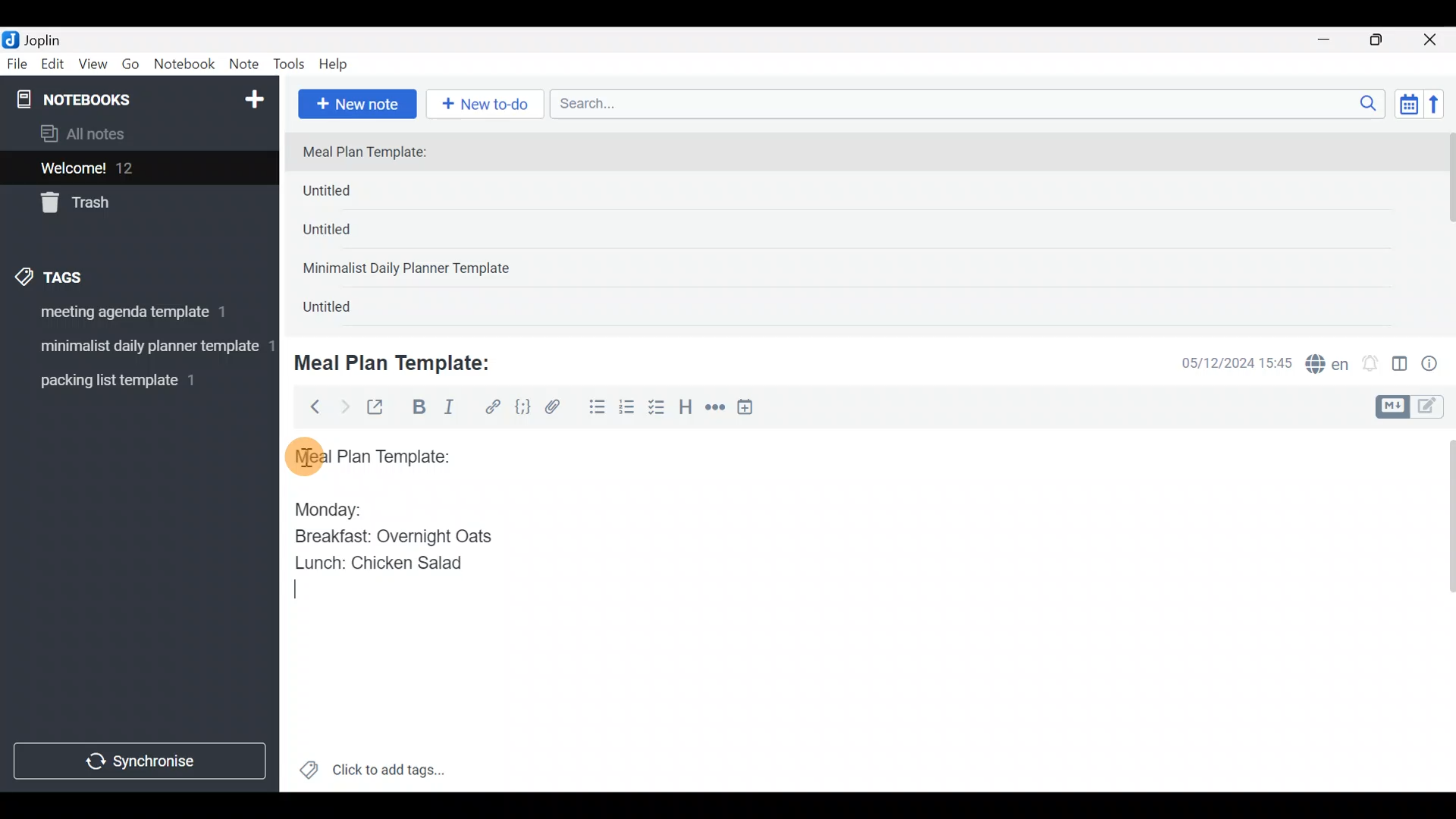 Image resolution: width=1456 pixels, height=819 pixels. Describe the element at coordinates (488, 105) in the screenshot. I see `New to-do` at that location.